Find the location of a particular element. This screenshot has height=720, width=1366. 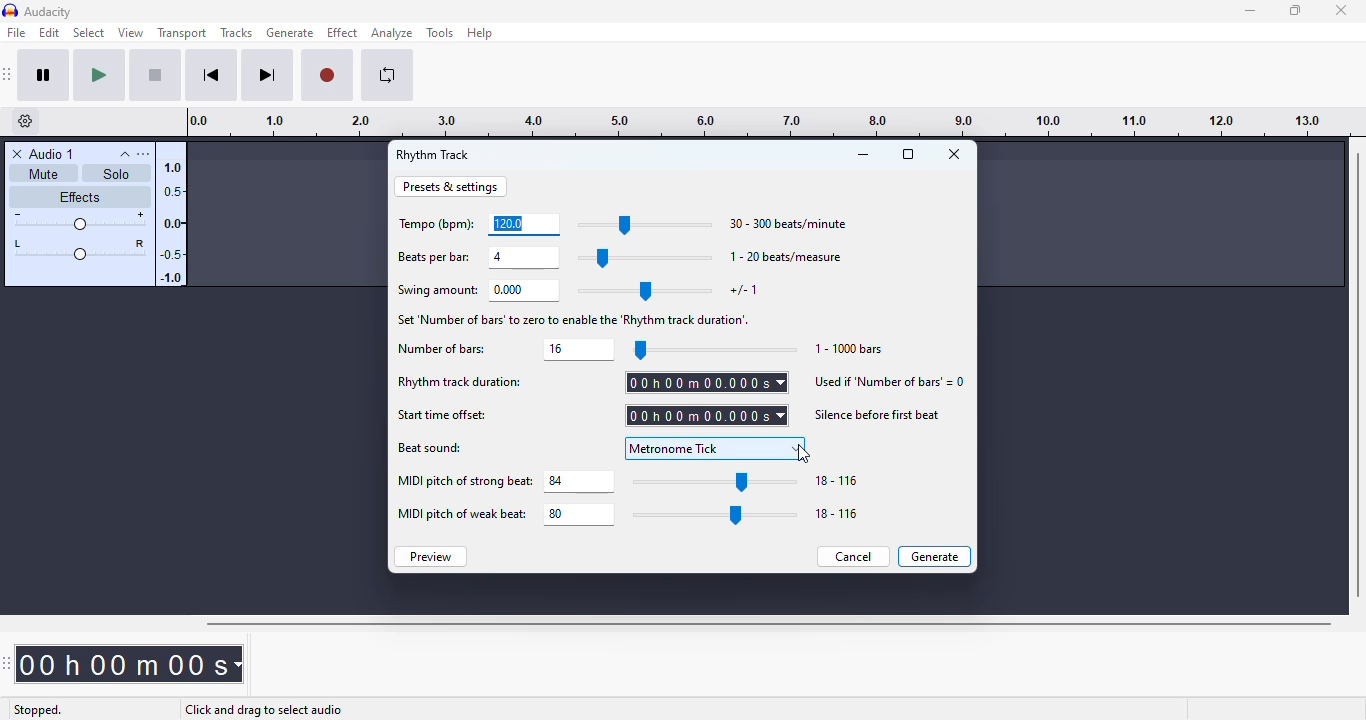

set beat sound is located at coordinates (716, 448).